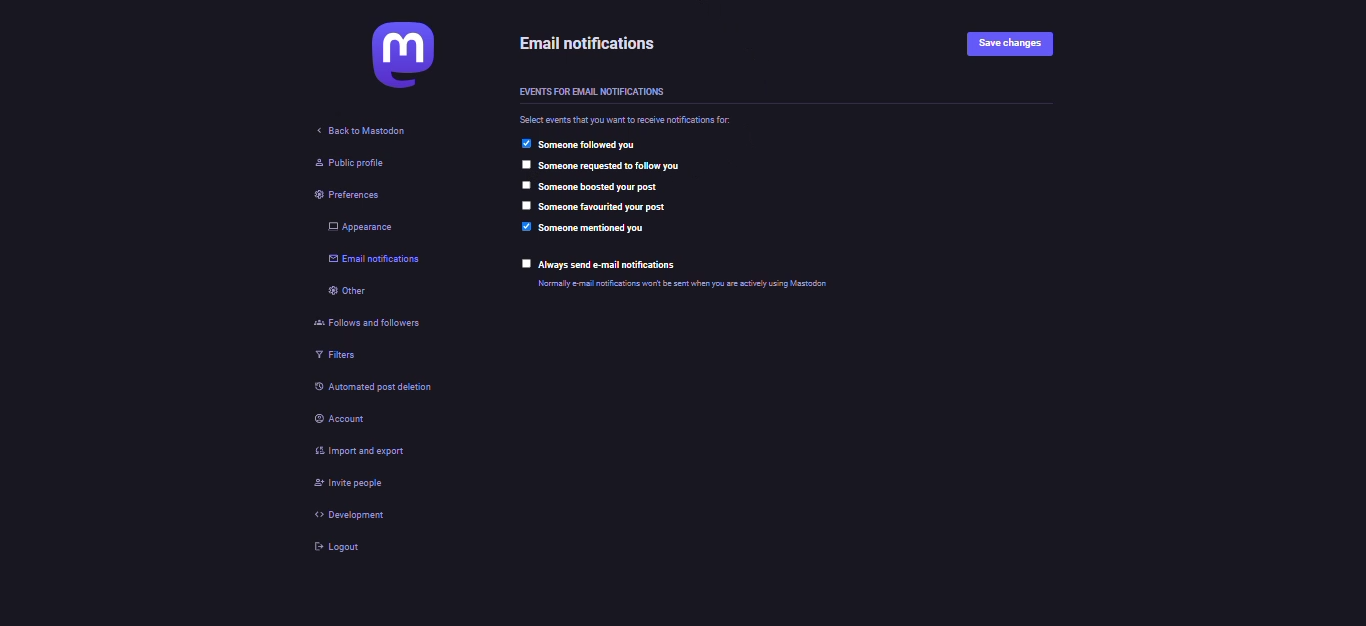  Describe the element at coordinates (593, 42) in the screenshot. I see `email notifications` at that location.